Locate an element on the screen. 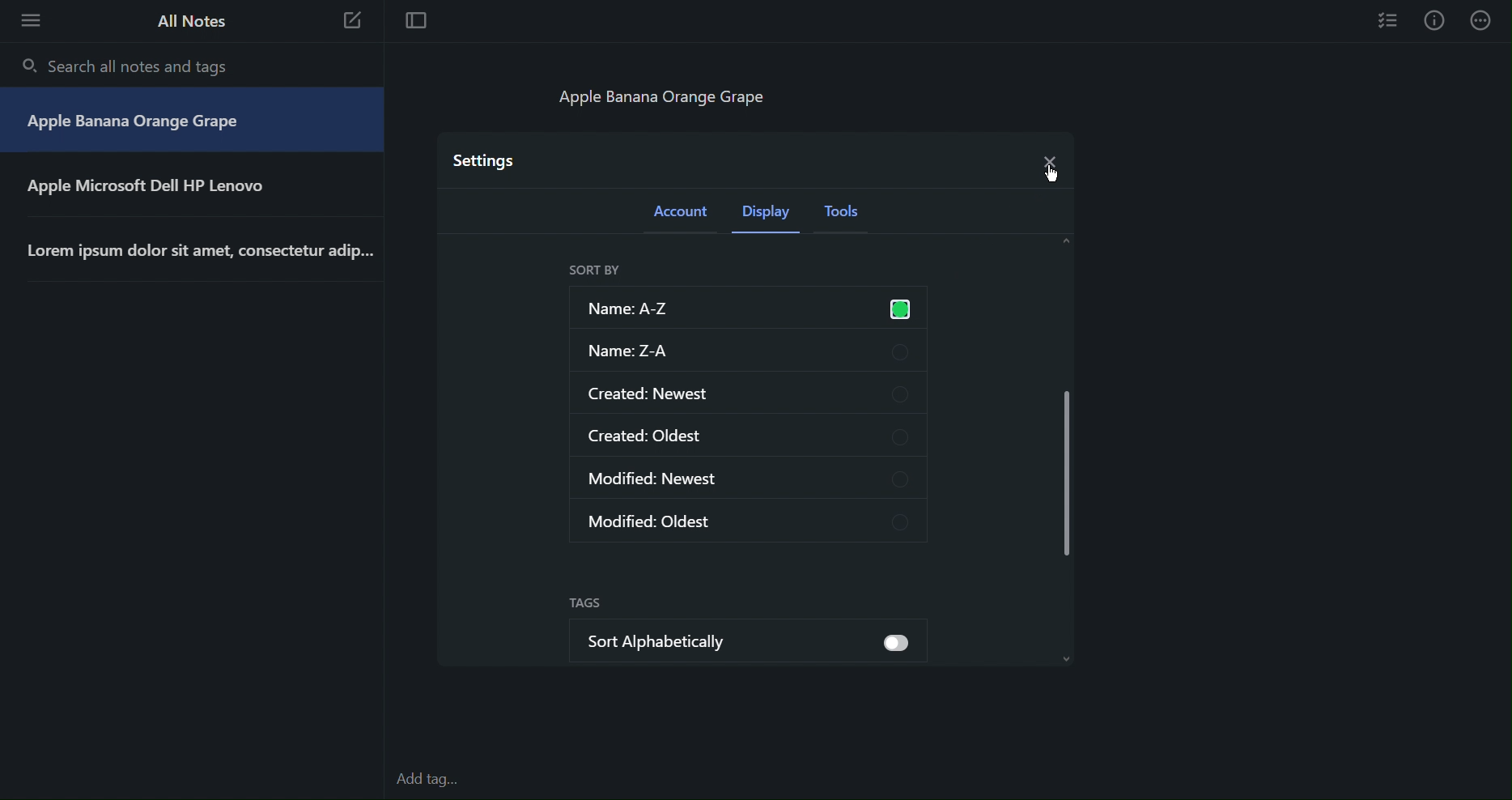  New Note is located at coordinates (353, 23).